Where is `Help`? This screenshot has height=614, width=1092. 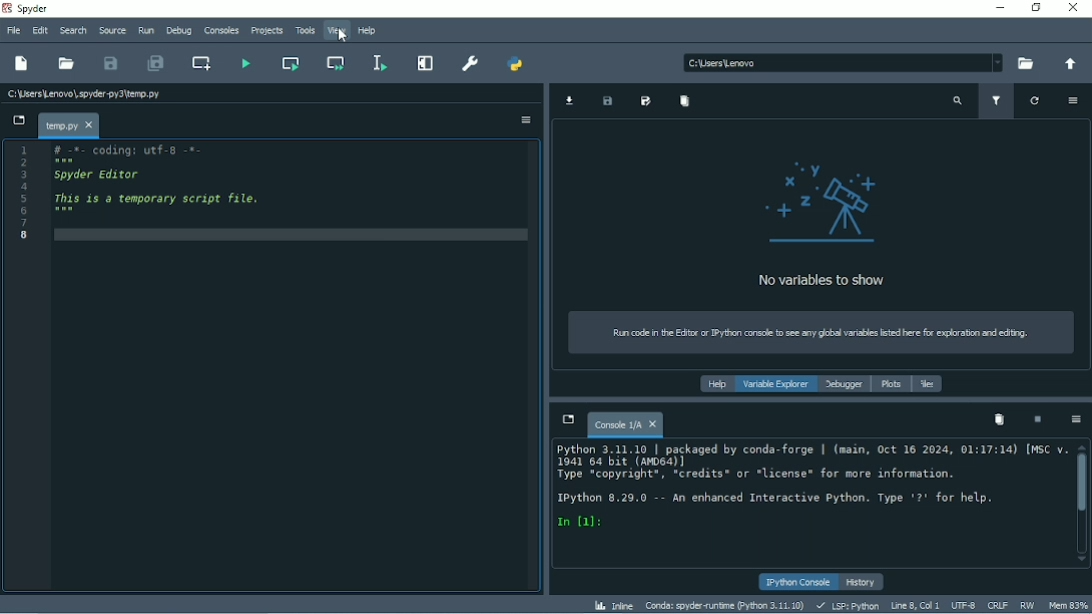
Help is located at coordinates (367, 31).